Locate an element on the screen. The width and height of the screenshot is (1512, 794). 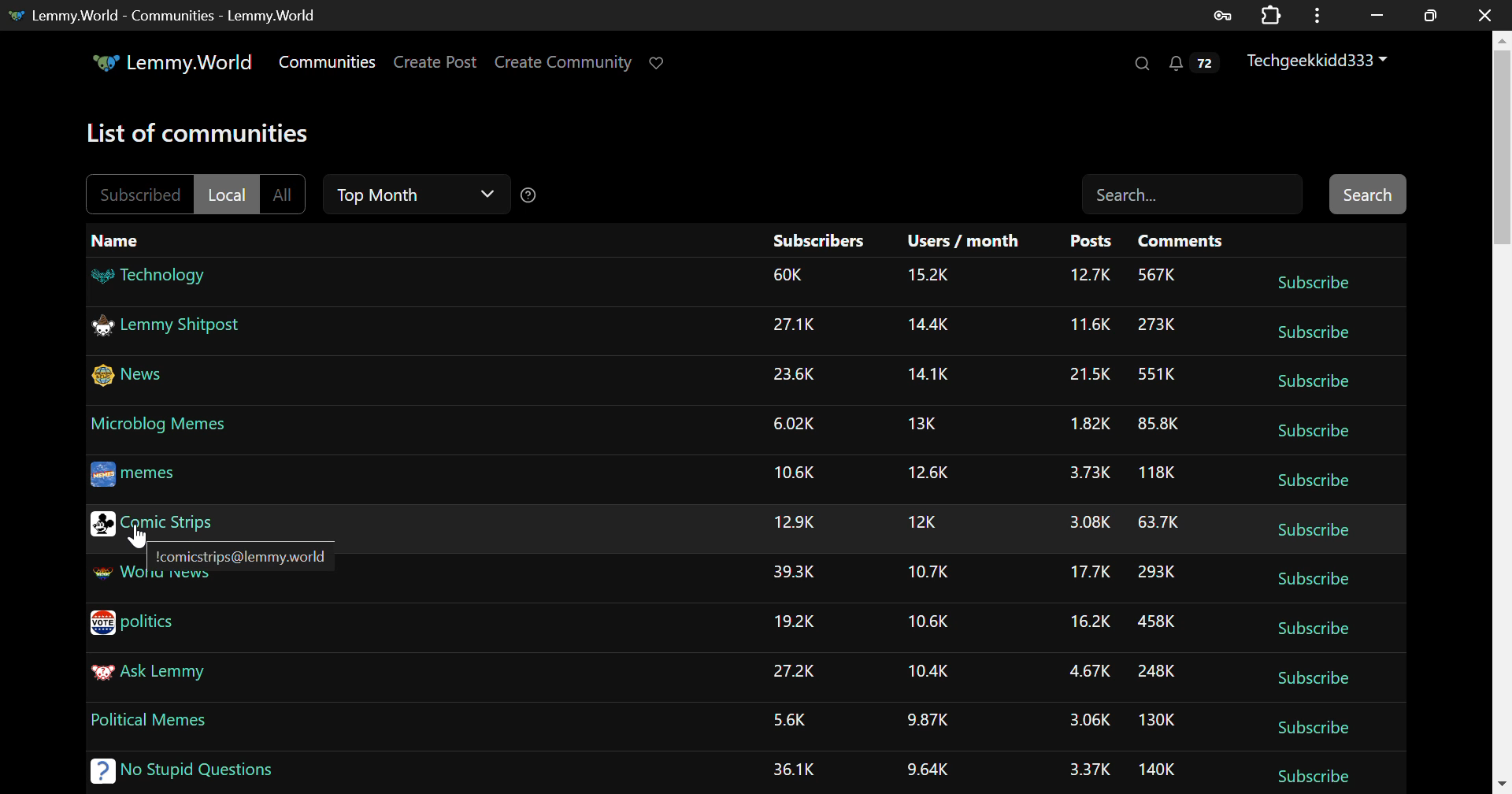
Amount is located at coordinates (795, 671).